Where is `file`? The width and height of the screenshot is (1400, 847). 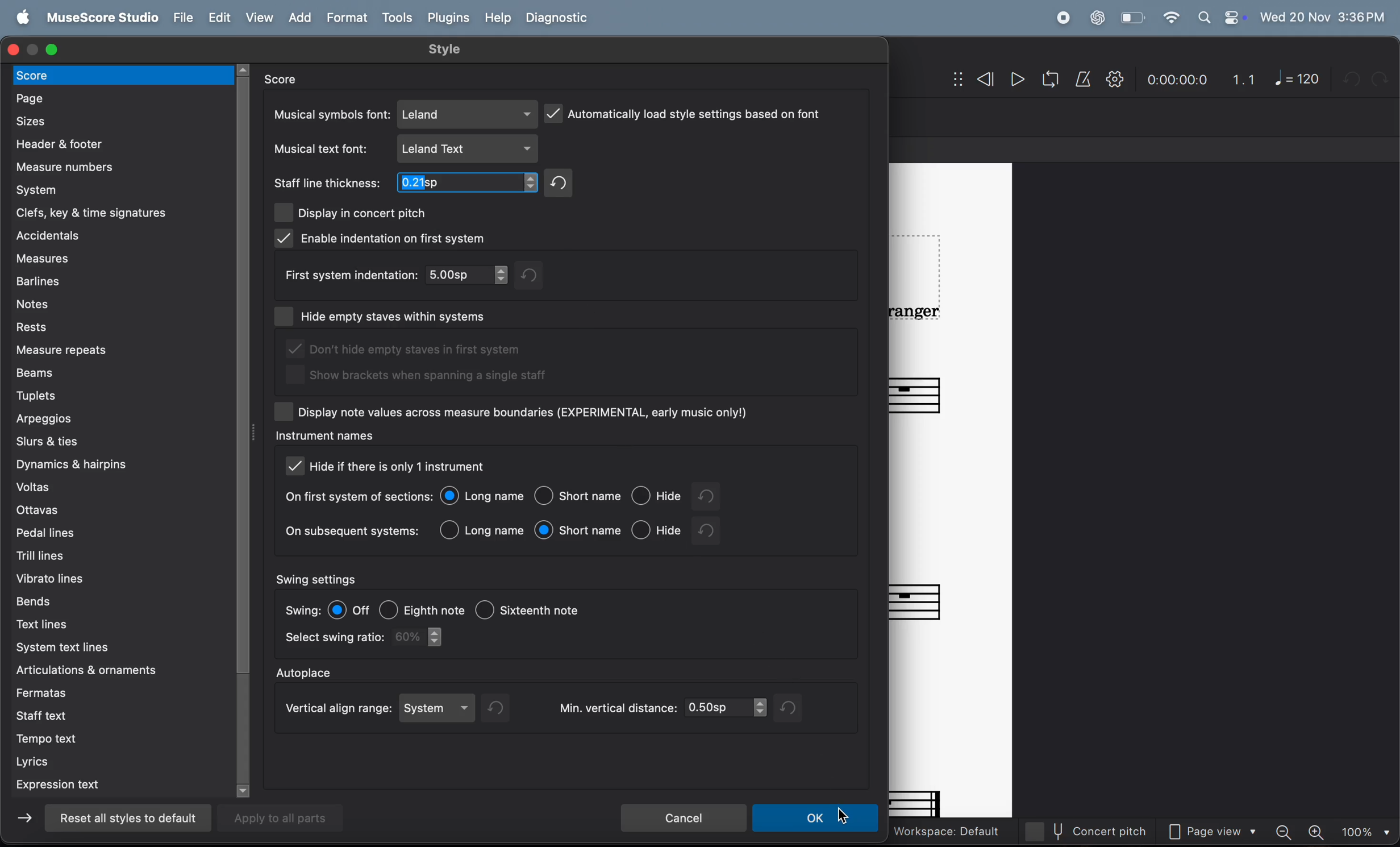
file is located at coordinates (181, 18).